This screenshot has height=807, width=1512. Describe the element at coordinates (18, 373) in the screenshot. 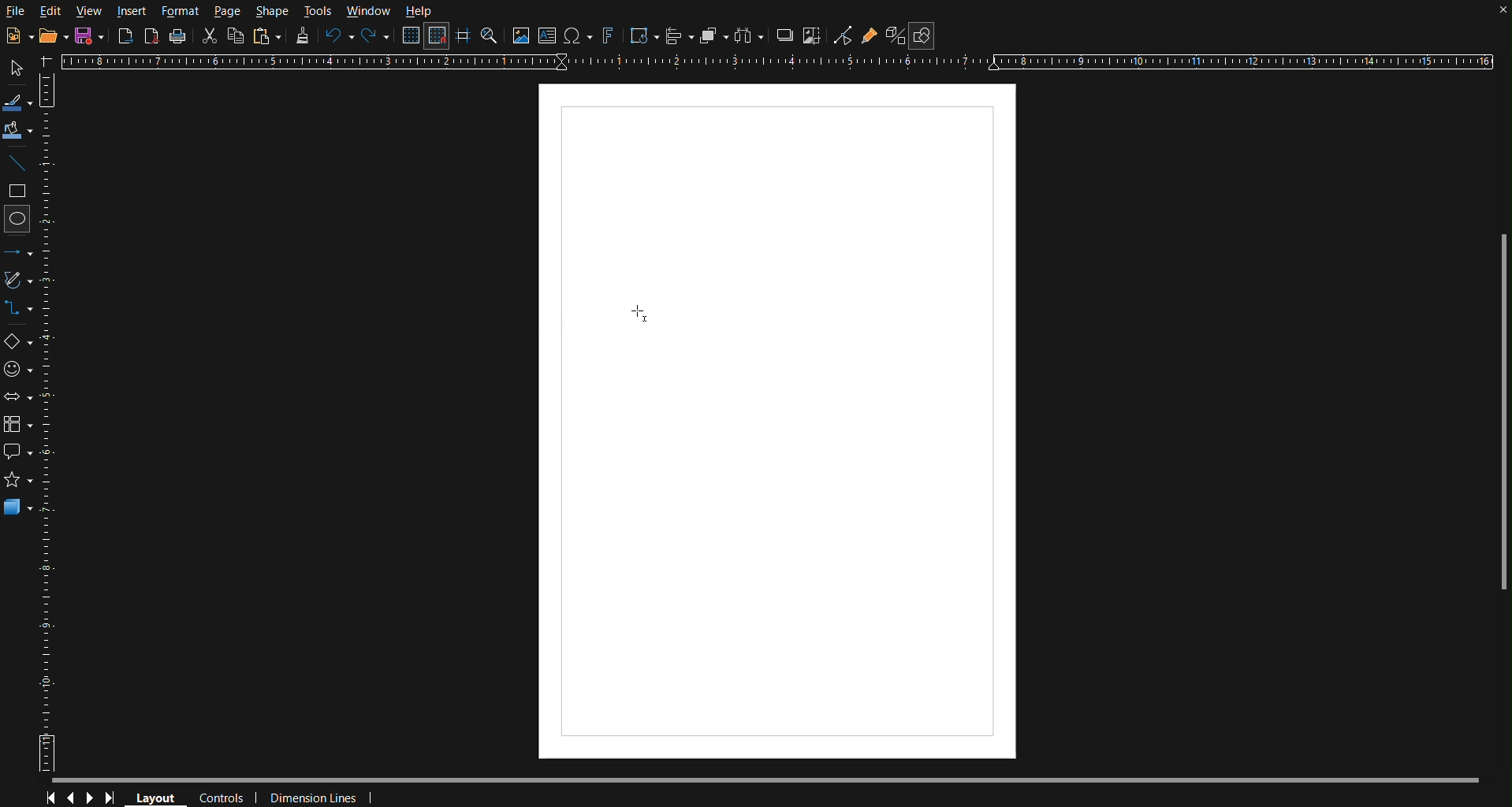

I see `Symbol Shapes` at that location.